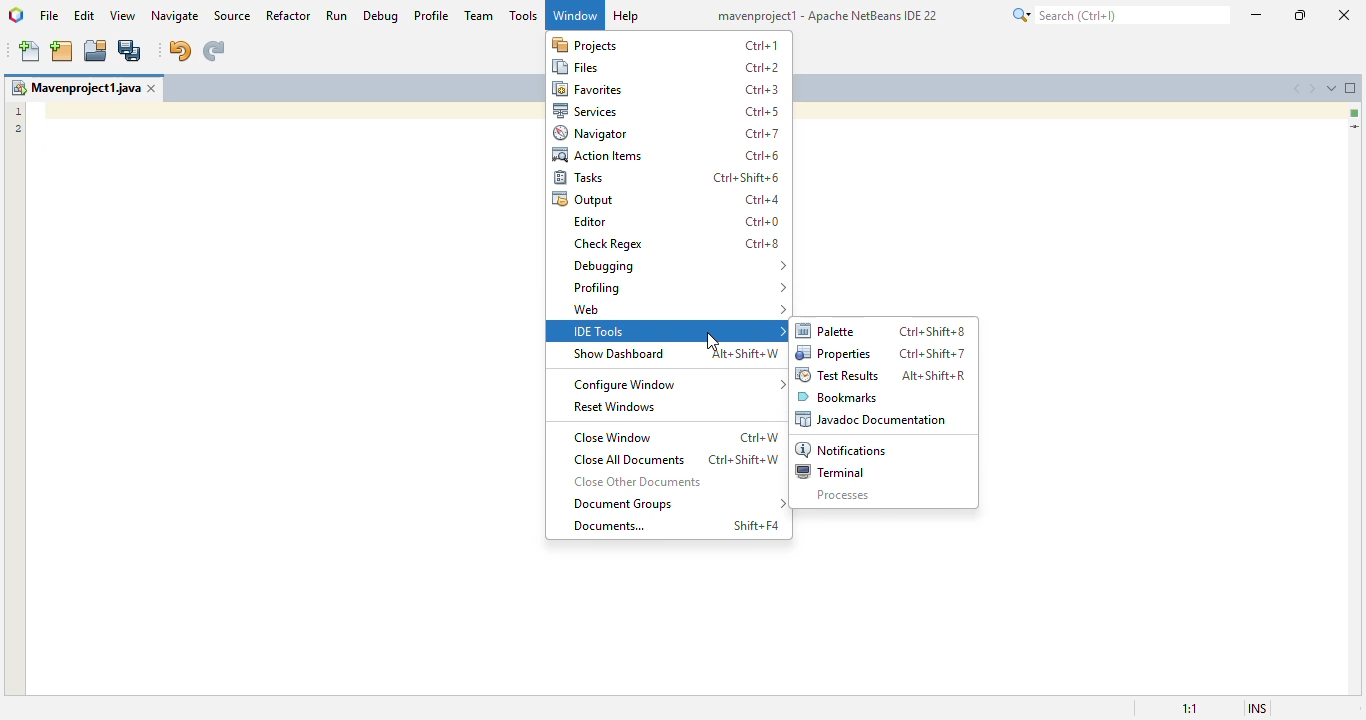  What do you see at coordinates (583, 199) in the screenshot?
I see `output` at bounding box center [583, 199].